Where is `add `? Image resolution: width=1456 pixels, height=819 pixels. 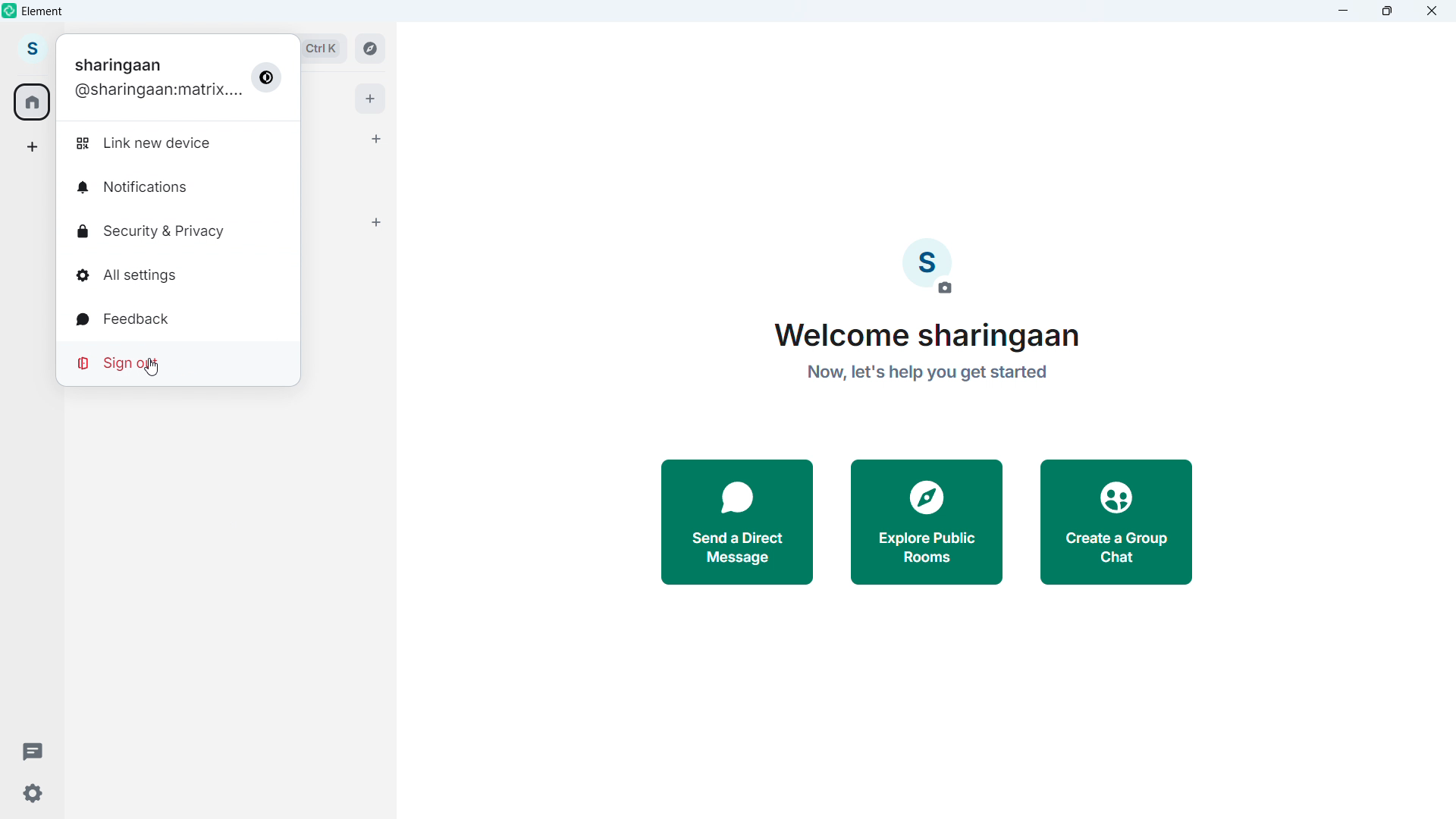
add  is located at coordinates (371, 99).